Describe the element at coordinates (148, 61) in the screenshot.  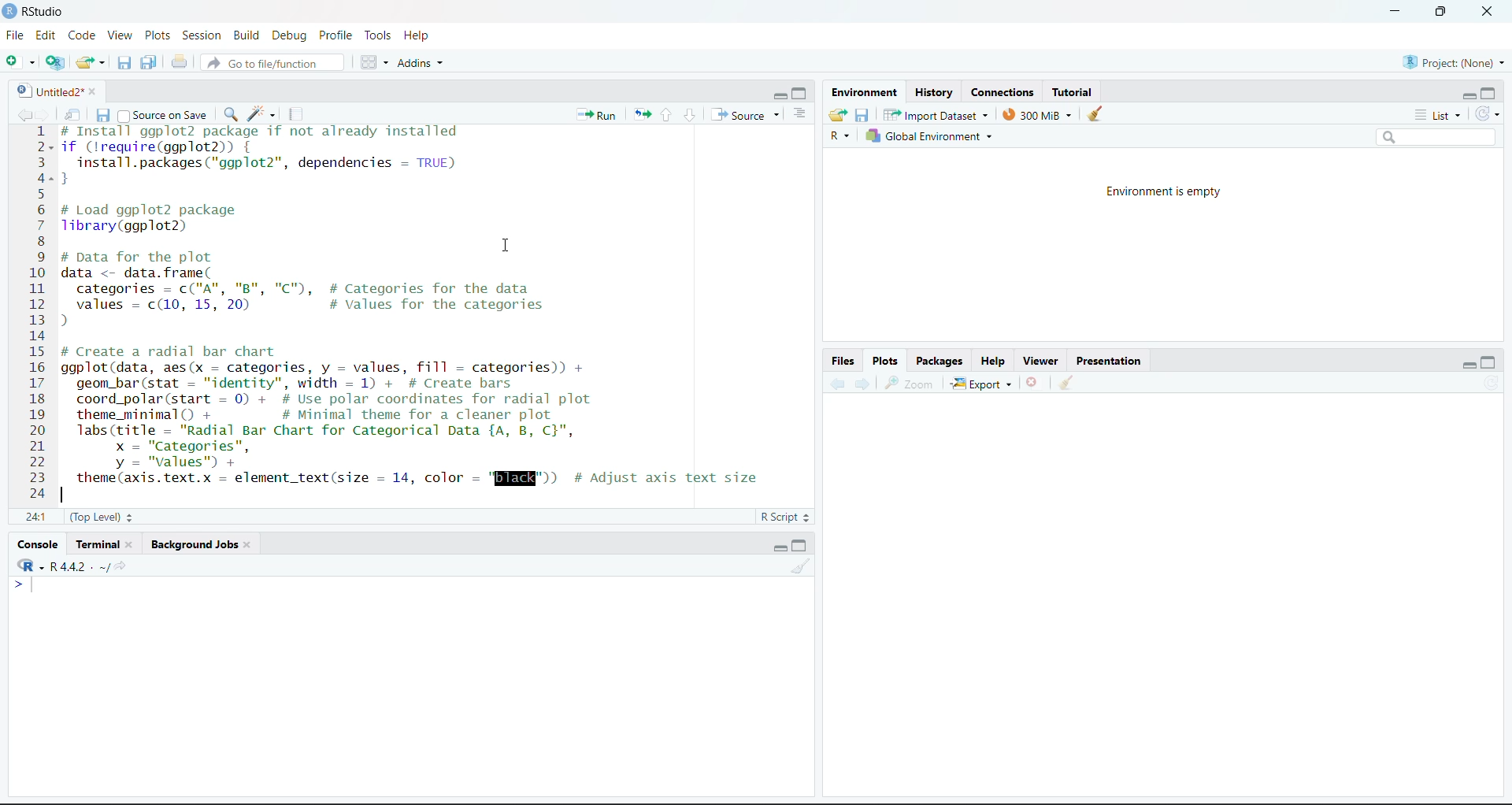
I see `save all open documents` at that location.